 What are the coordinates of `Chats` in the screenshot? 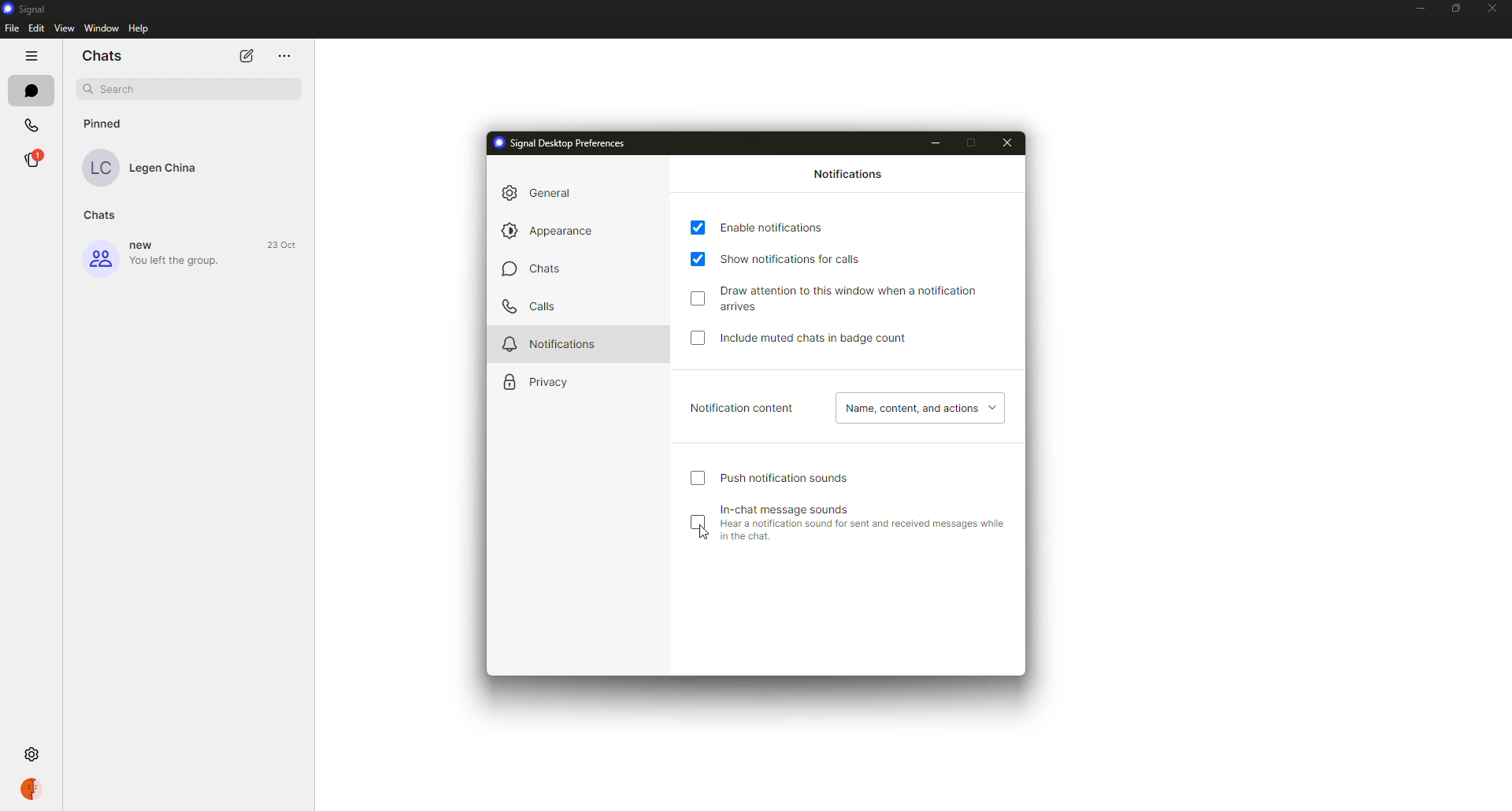 It's located at (102, 215).